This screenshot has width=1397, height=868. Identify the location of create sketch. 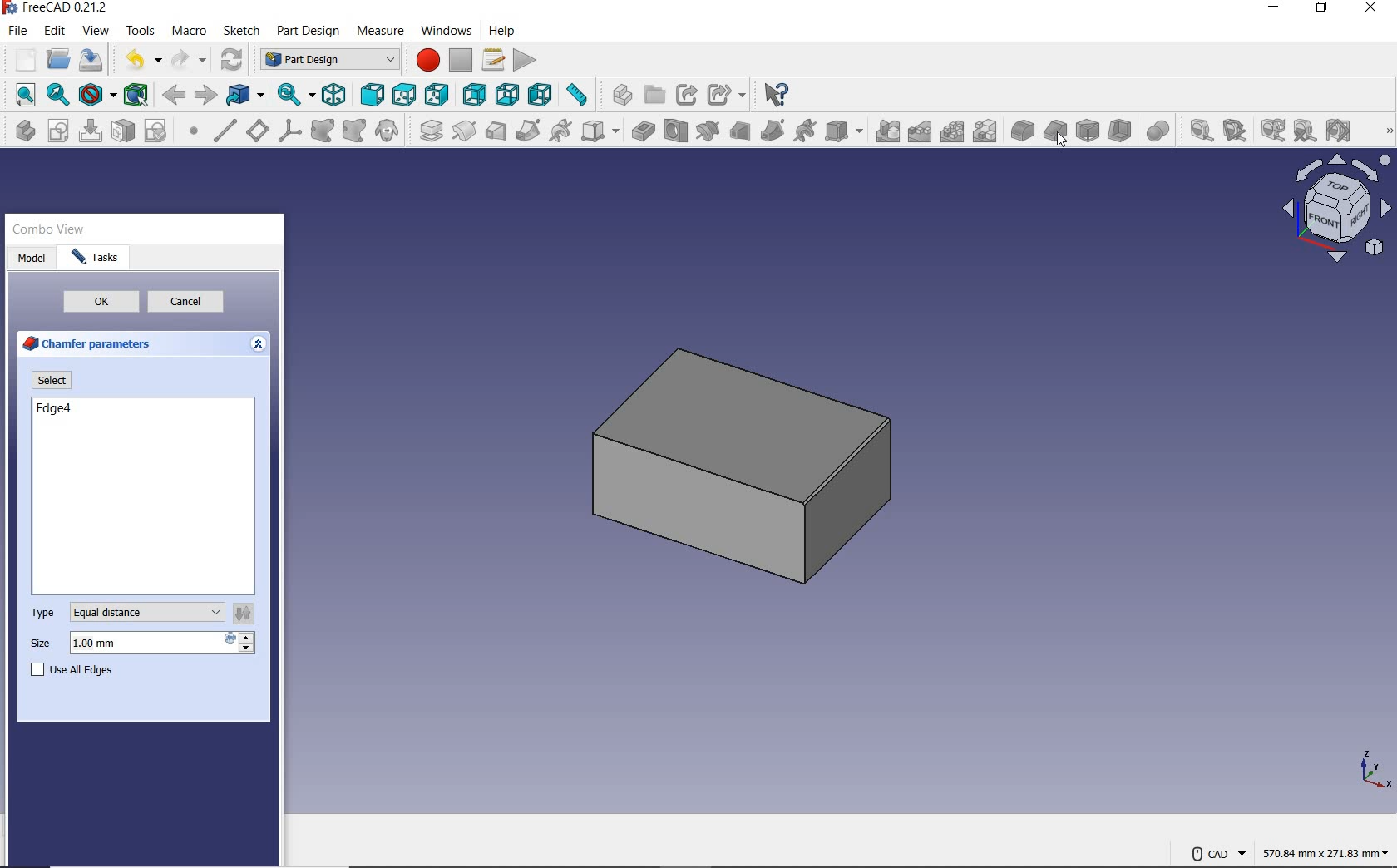
(57, 131).